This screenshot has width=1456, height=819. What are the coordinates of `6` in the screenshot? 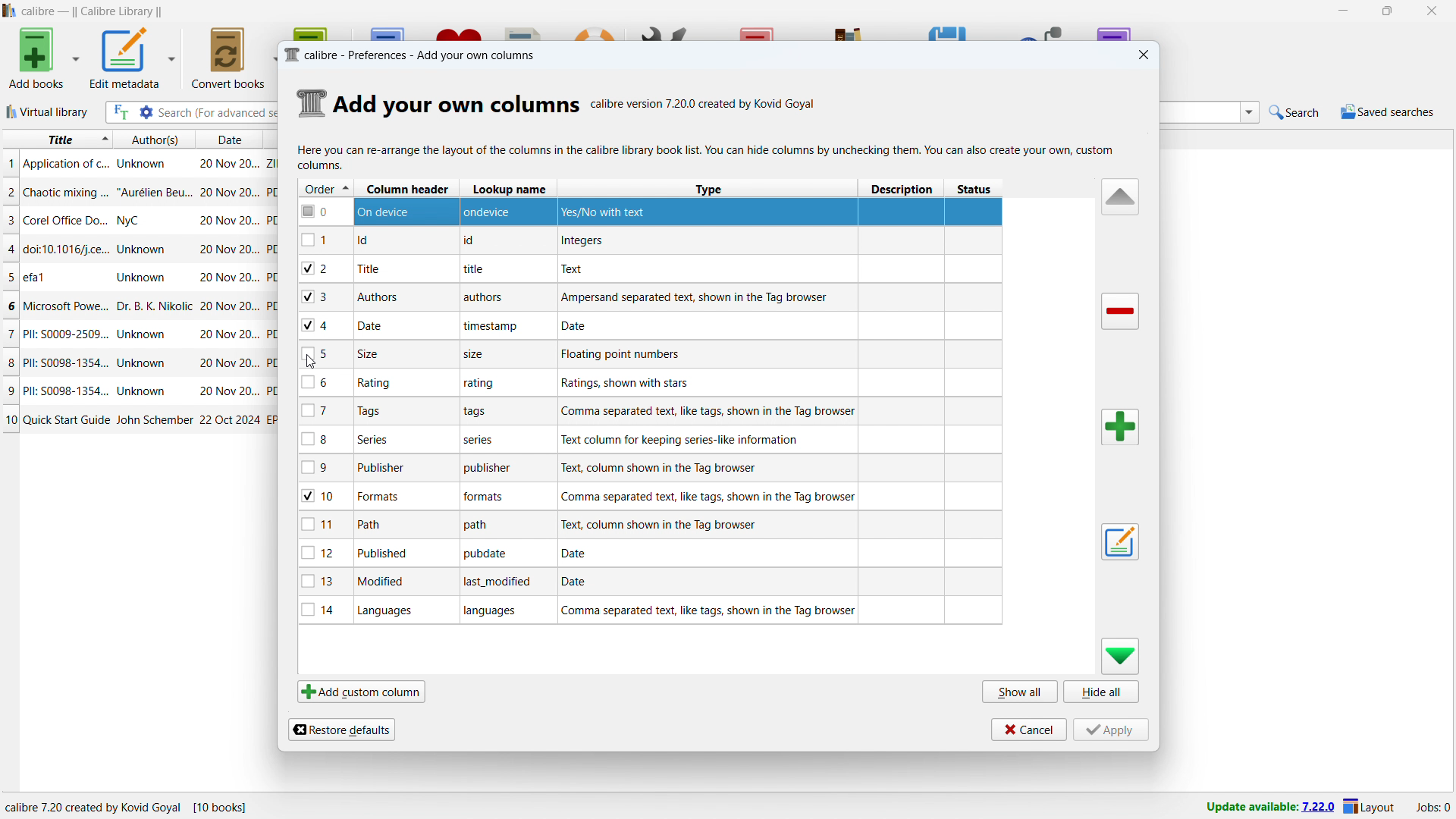 It's located at (320, 383).